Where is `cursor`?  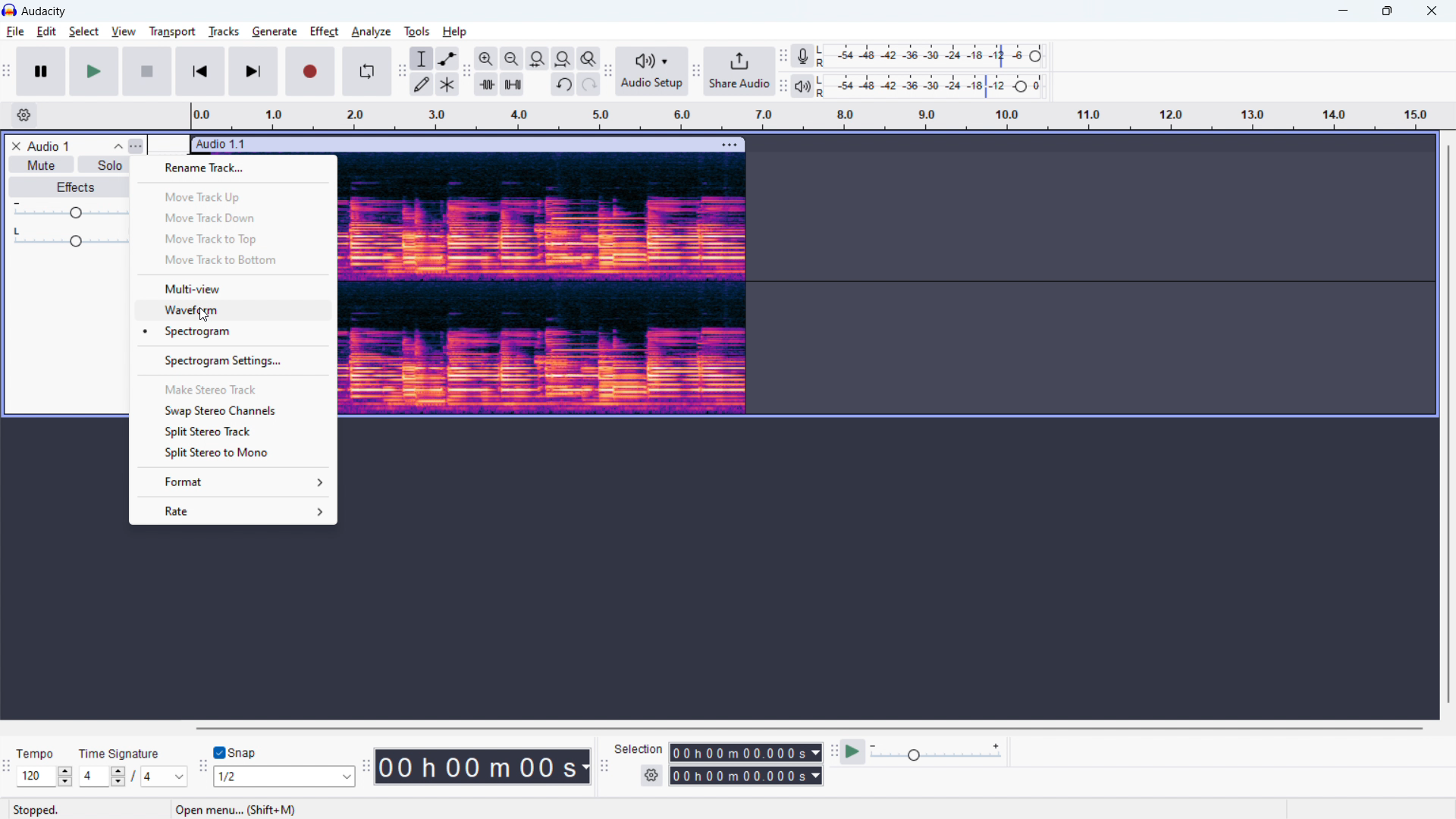
cursor is located at coordinates (204, 317).